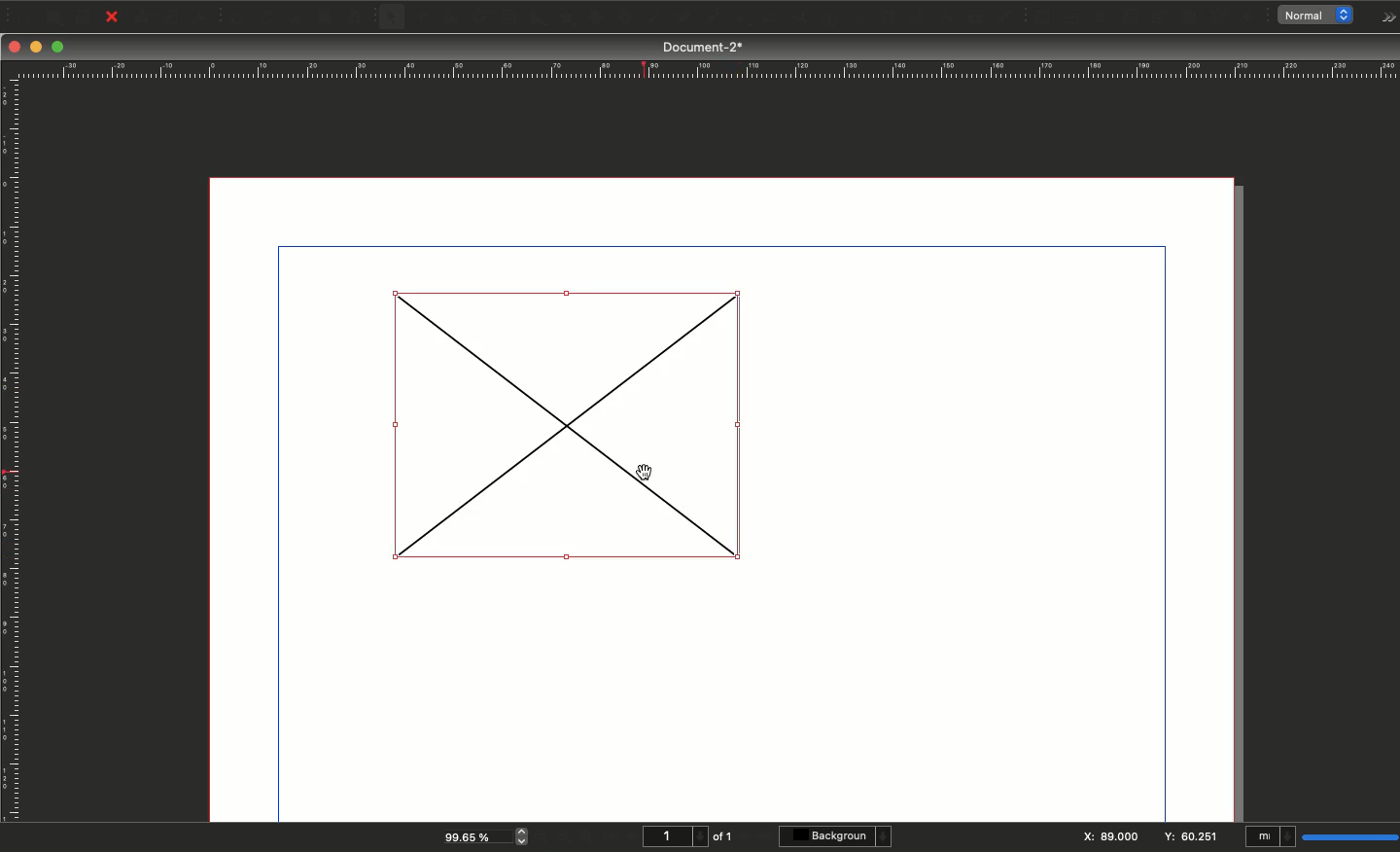  I want to click on Minimize, so click(38, 48).